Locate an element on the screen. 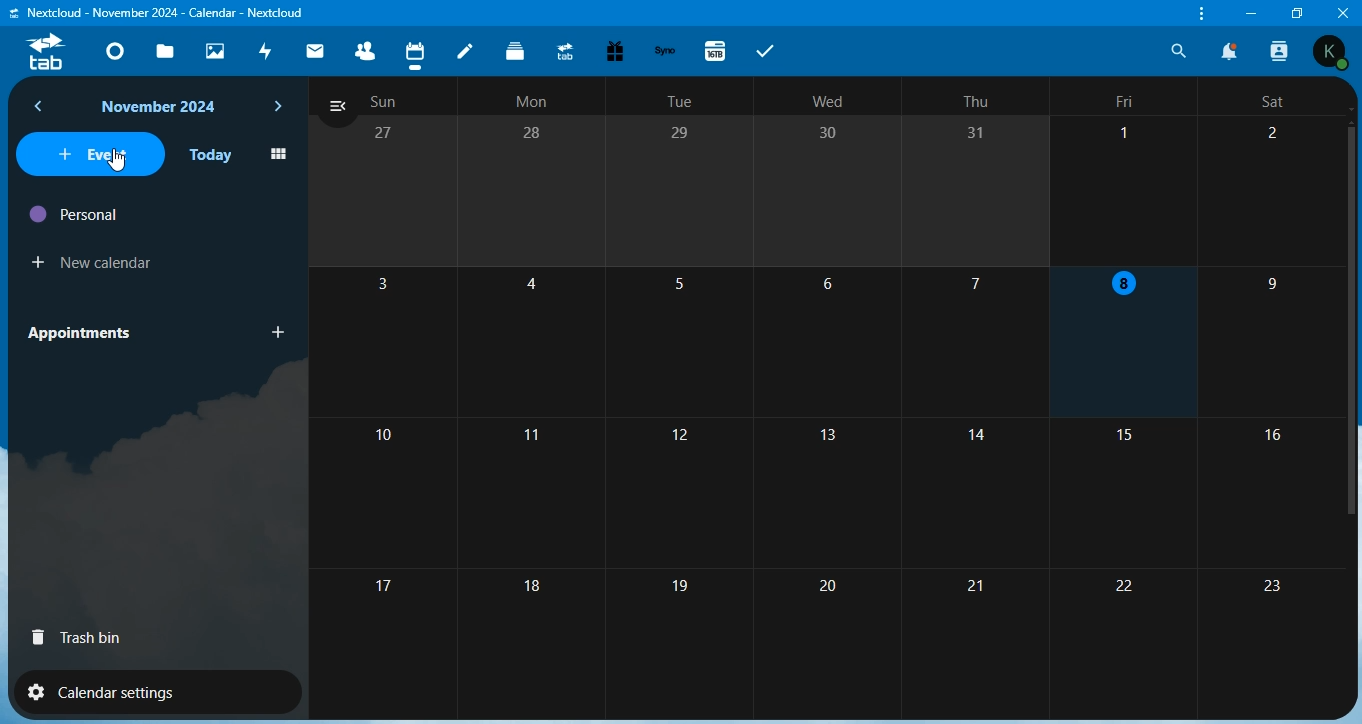 The width and height of the screenshot is (1362, 724). notes is located at coordinates (466, 48).